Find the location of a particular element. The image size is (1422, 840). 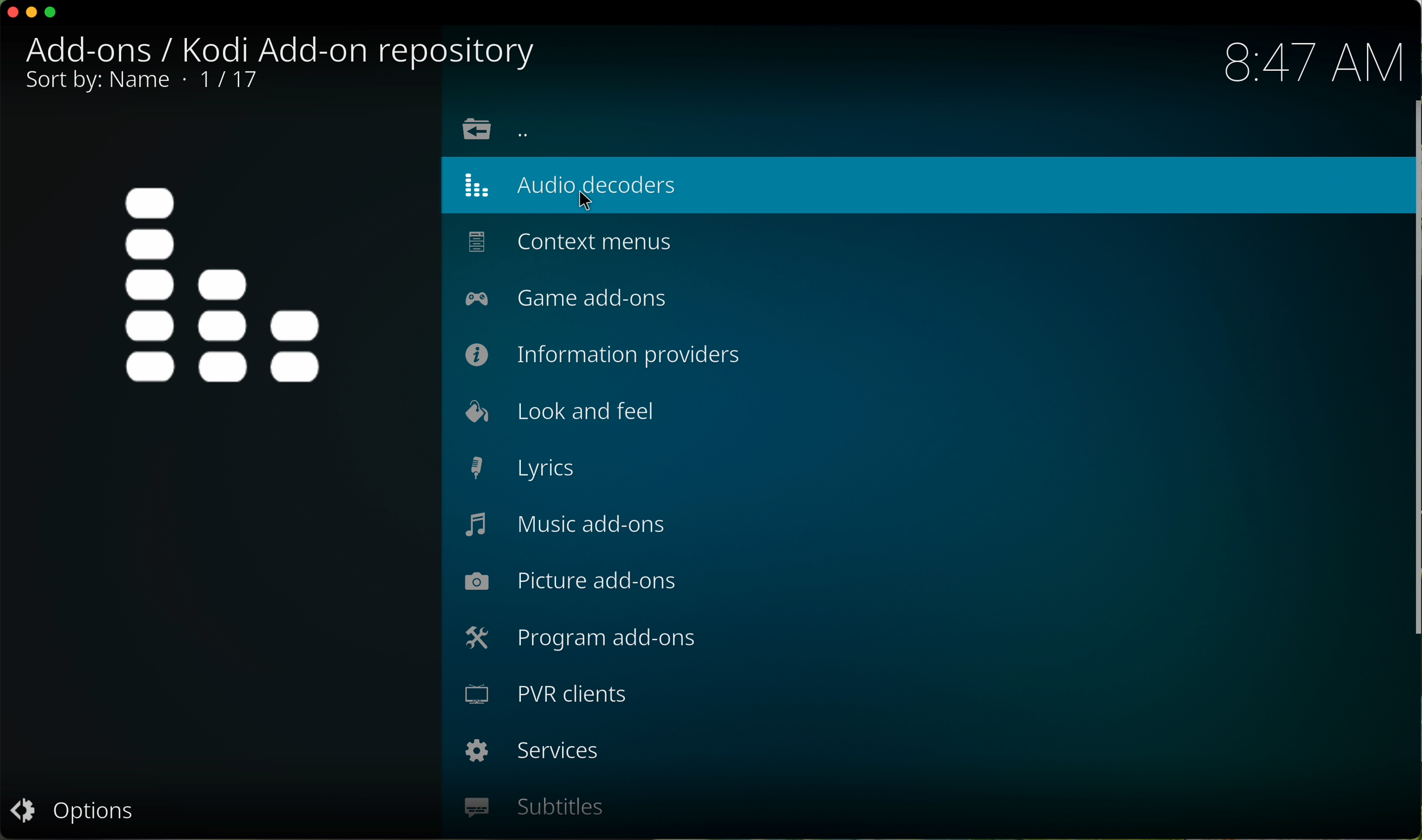

context menus is located at coordinates (567, 242).